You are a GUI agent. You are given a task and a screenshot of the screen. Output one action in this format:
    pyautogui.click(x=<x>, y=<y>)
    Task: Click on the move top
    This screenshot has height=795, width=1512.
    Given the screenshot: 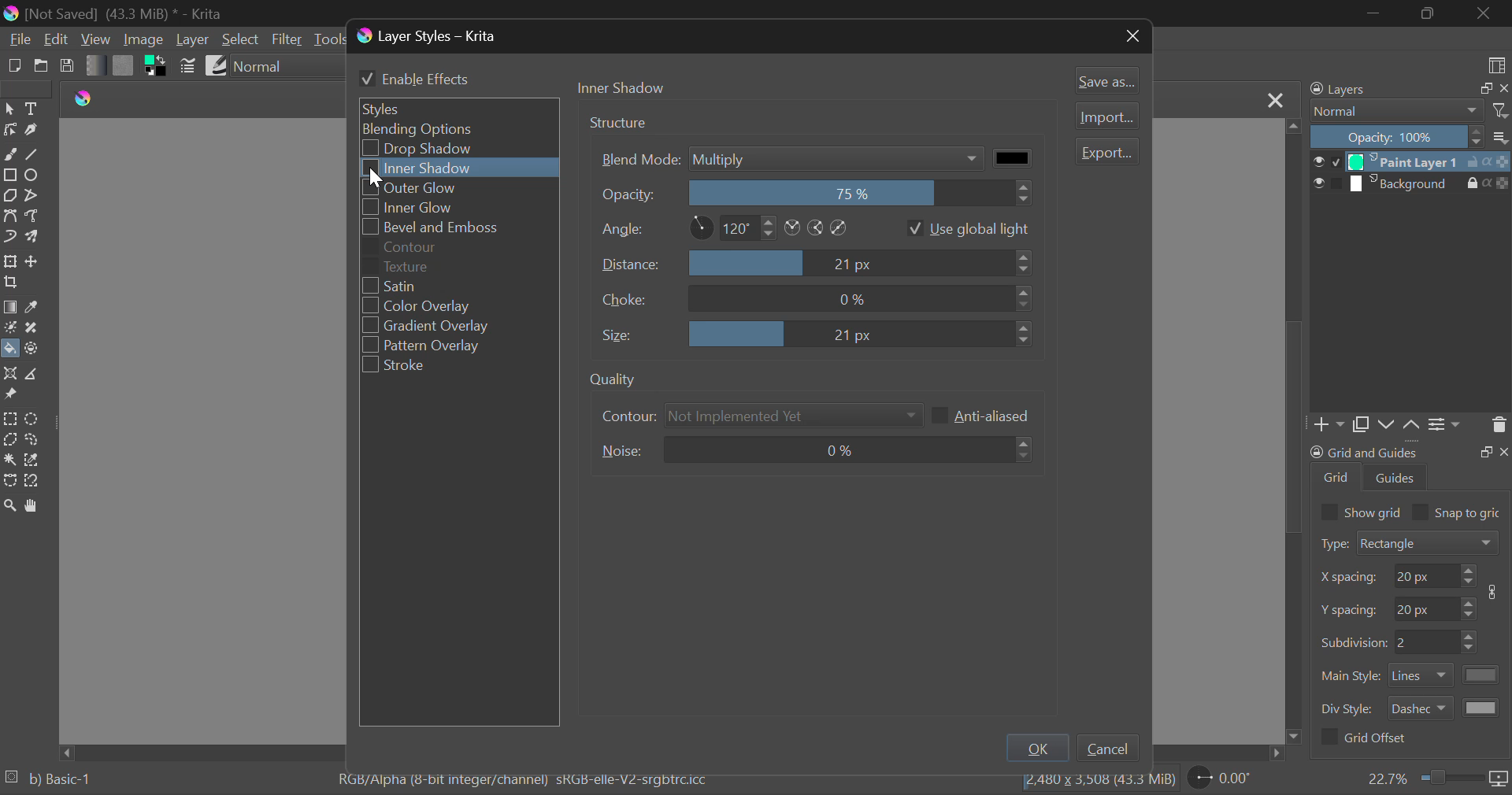 What is the action you would take?
    pyautogui.click(x=1288, y=134)
    